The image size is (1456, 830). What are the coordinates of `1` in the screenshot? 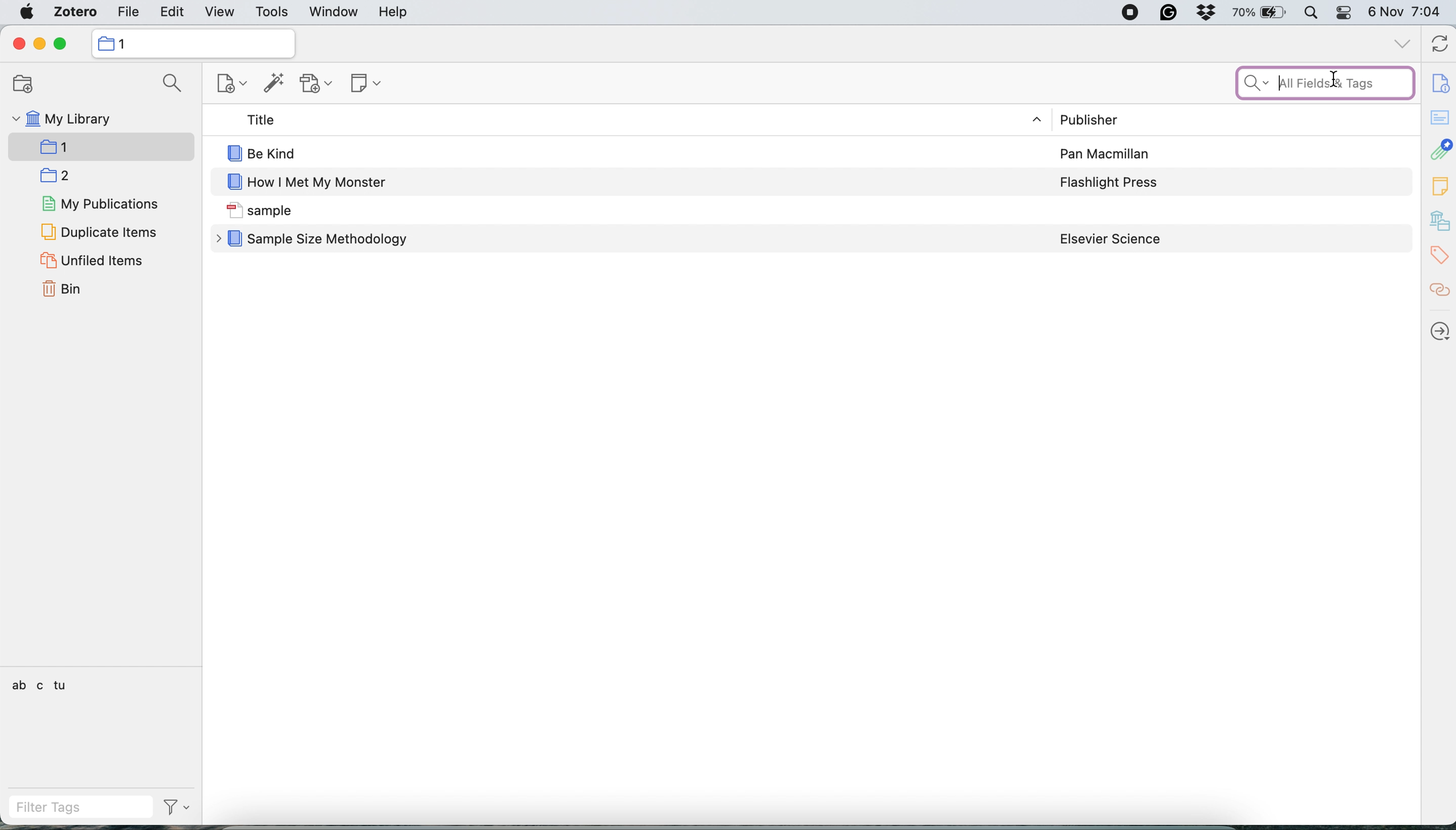 It's located at (127, 44).